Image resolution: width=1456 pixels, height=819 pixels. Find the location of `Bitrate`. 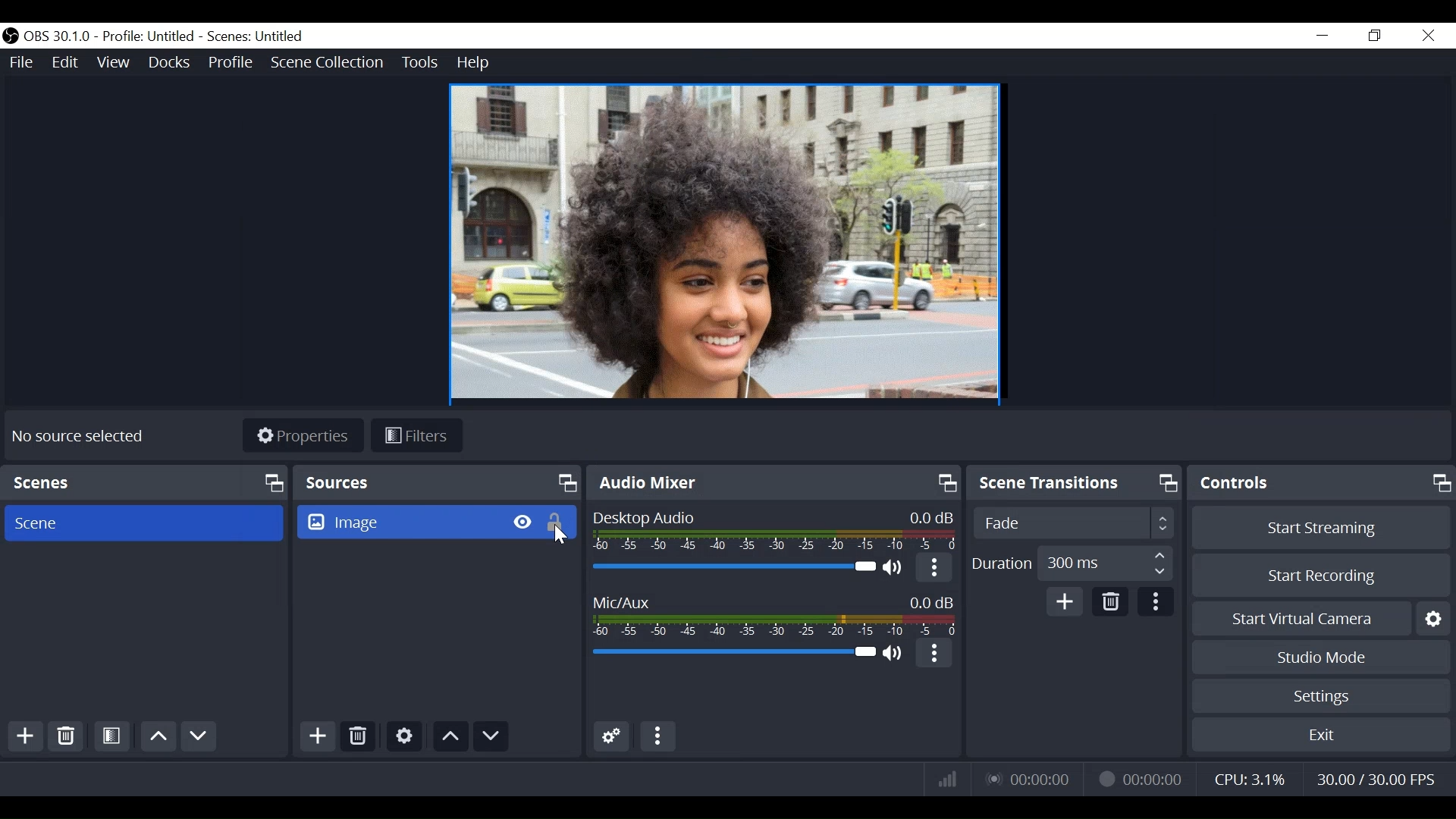

Bitrate is located at coordinates (944, 778).